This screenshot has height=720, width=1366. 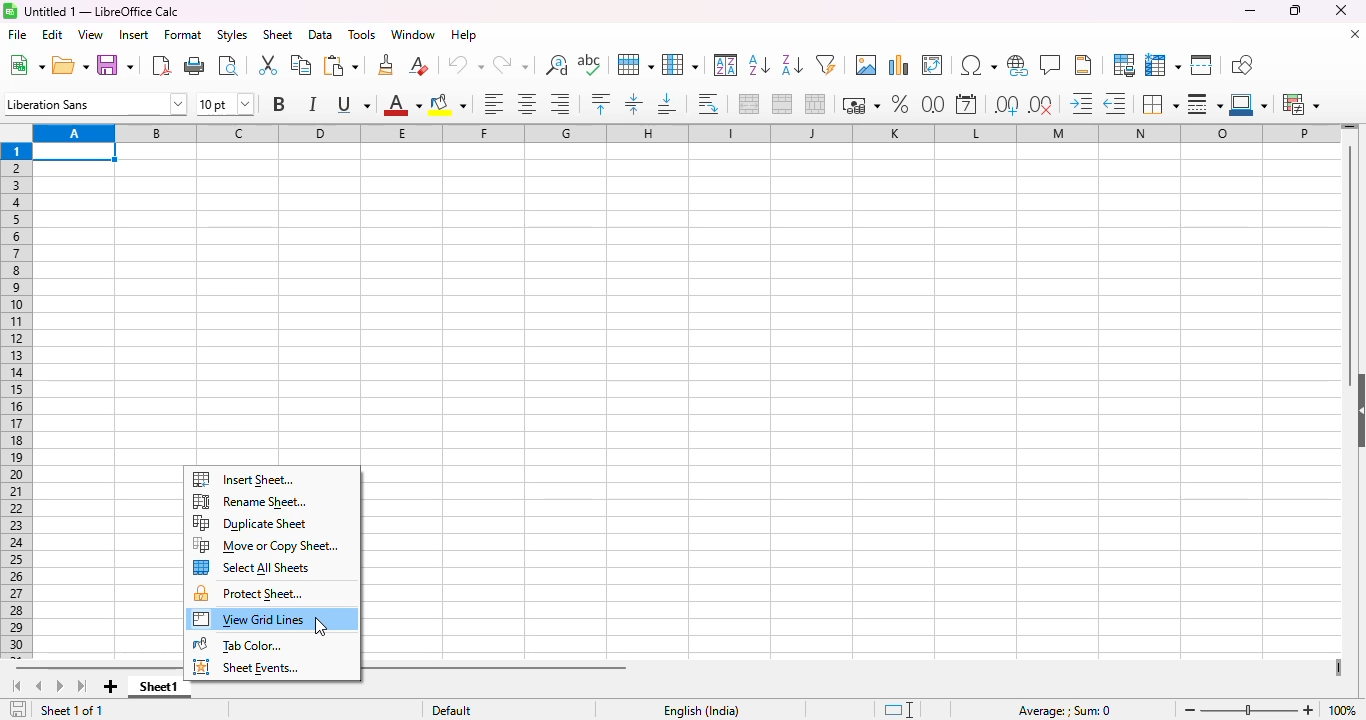 What do you see at coordinates (934, 65) in the screenshot?
I see `insert or edit pivot table` at bounding box center [934, 65].